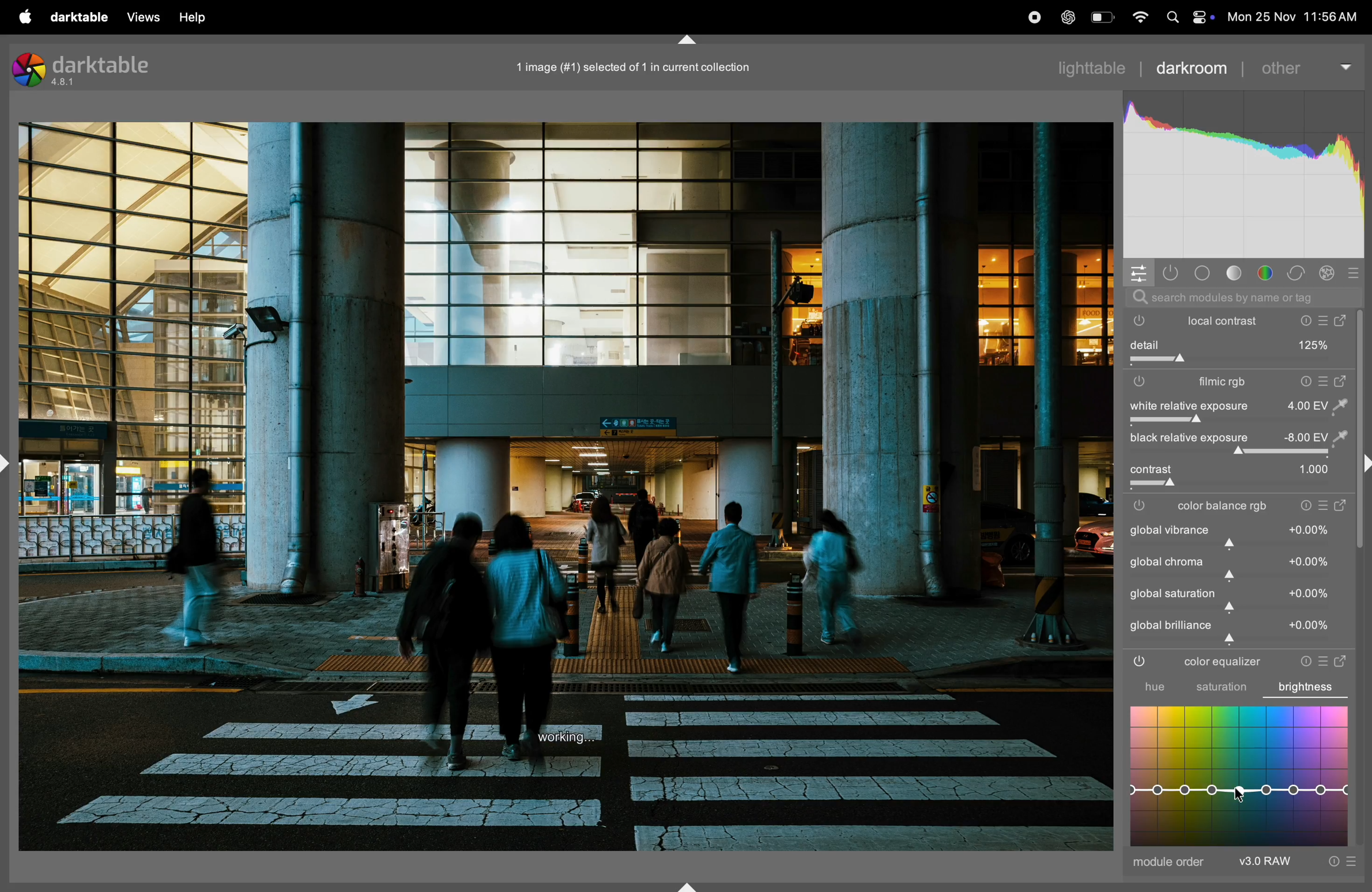 The image size is (1372, 892). What do you see at coordinates (1310, 529) in the screenshot?
I see `value` at bounding box center [1310, 529].